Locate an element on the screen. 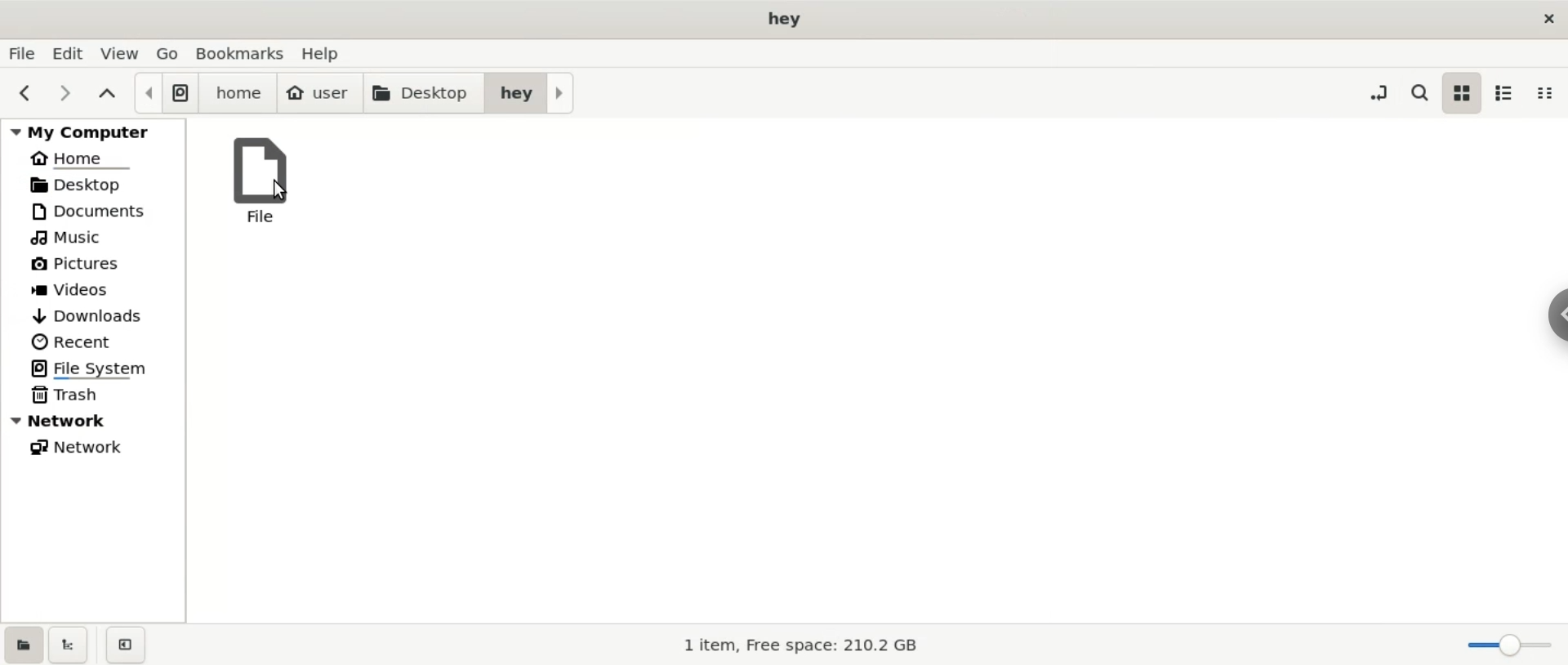 This screenshot has height=665, width=1568. close is located at coordinates (1546, 18).